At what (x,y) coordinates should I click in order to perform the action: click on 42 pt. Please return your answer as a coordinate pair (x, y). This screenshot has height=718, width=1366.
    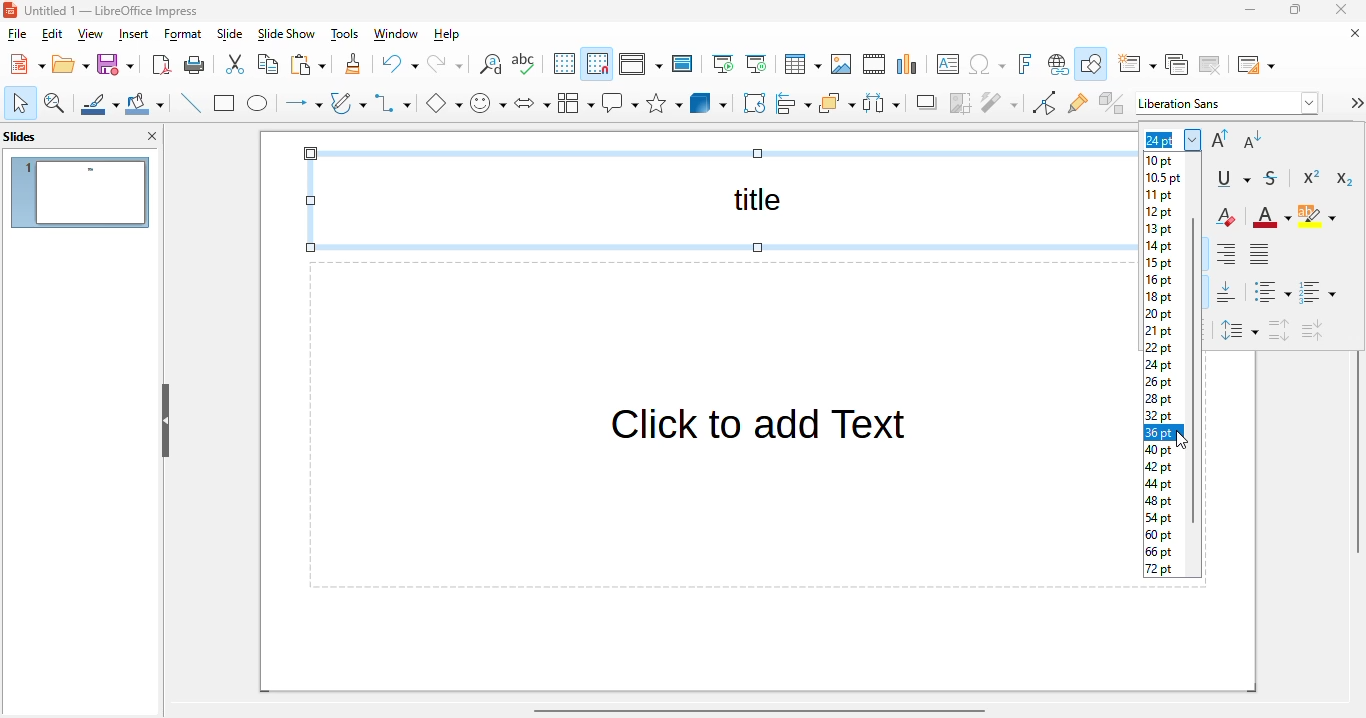
    Looking at the image, I should click on (1160, 467).